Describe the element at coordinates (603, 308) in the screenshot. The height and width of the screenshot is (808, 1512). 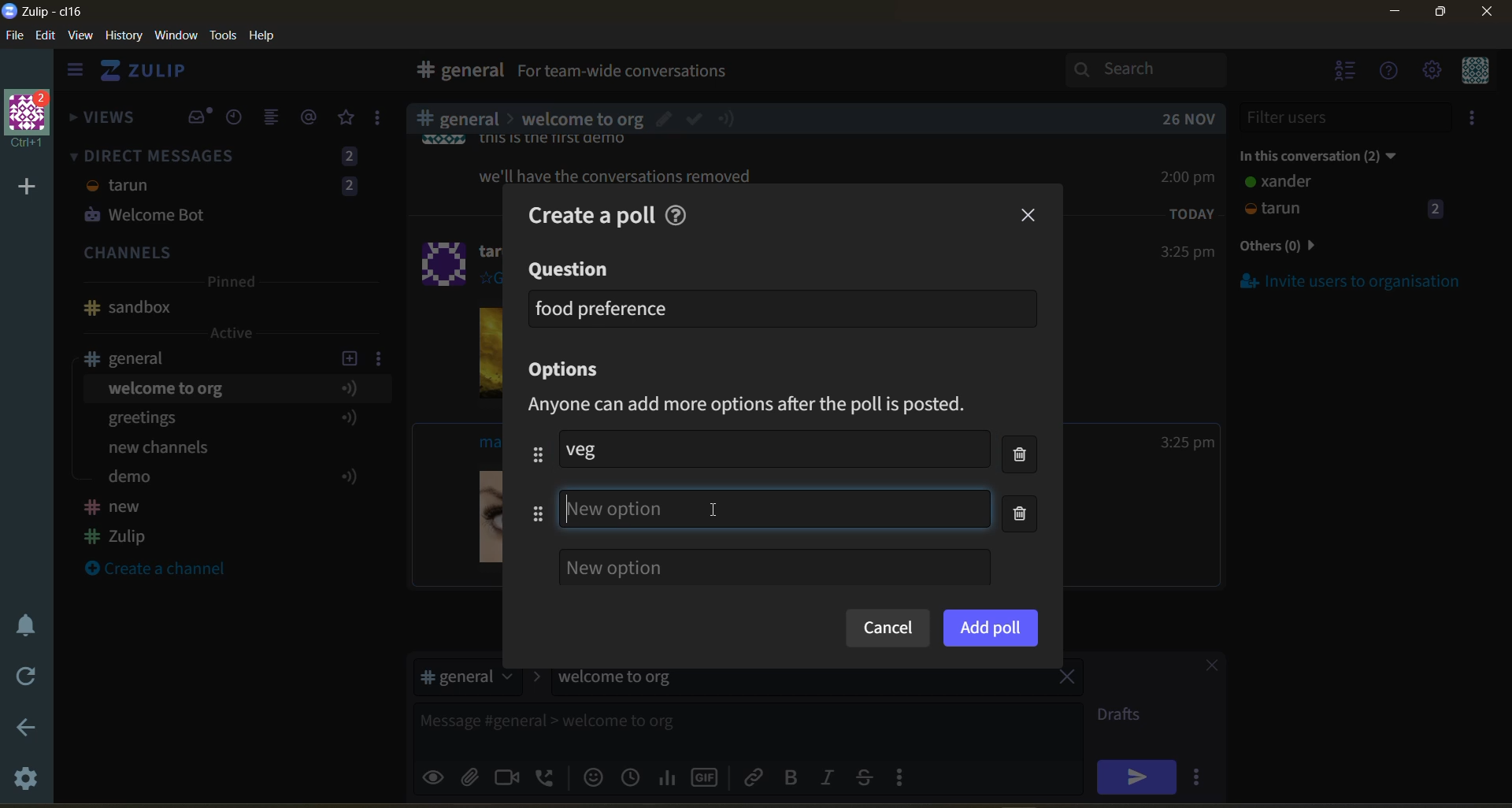
I see `food preference` at that location.